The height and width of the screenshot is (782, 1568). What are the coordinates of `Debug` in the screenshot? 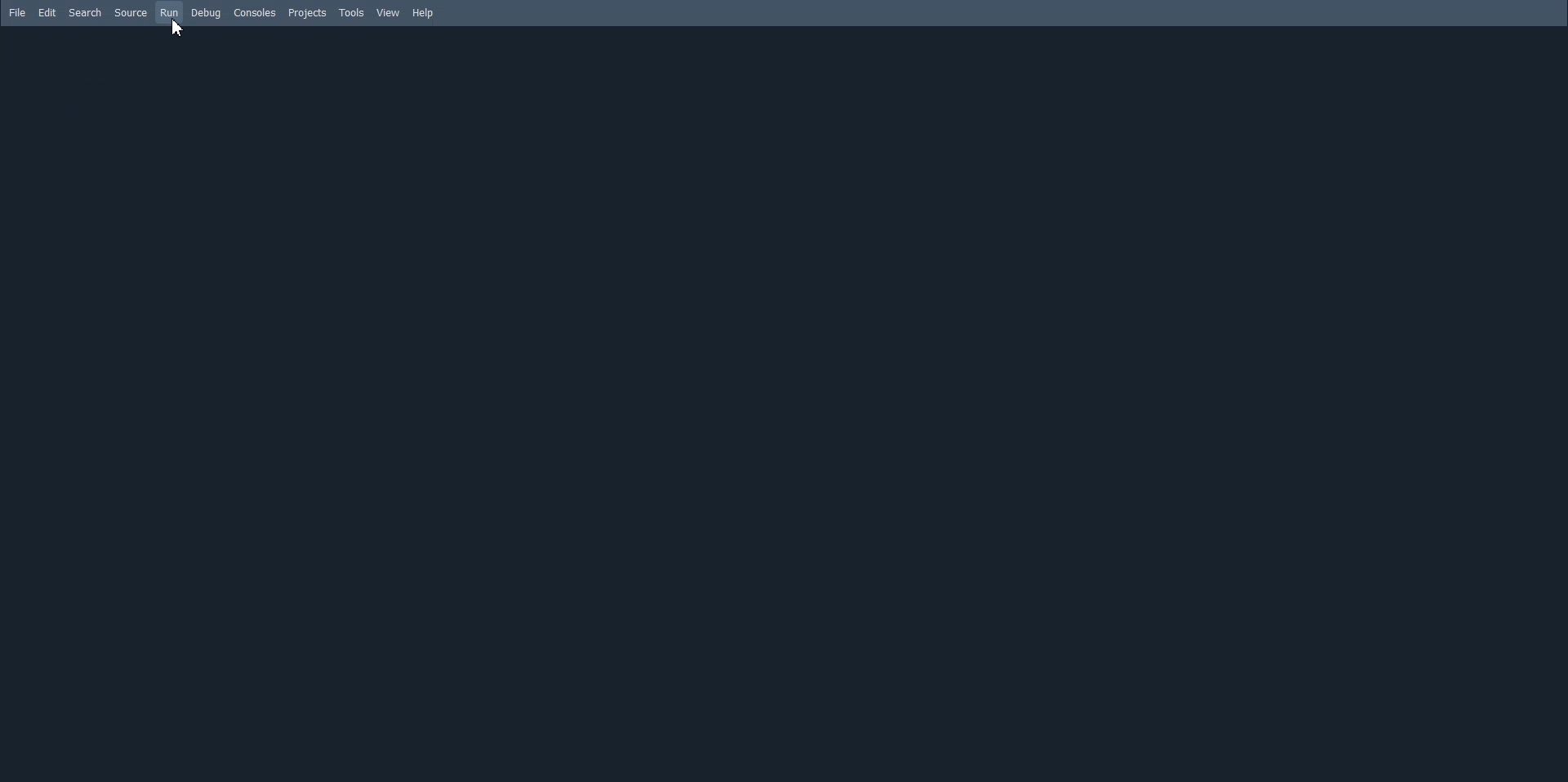 It's located at (206, 12).